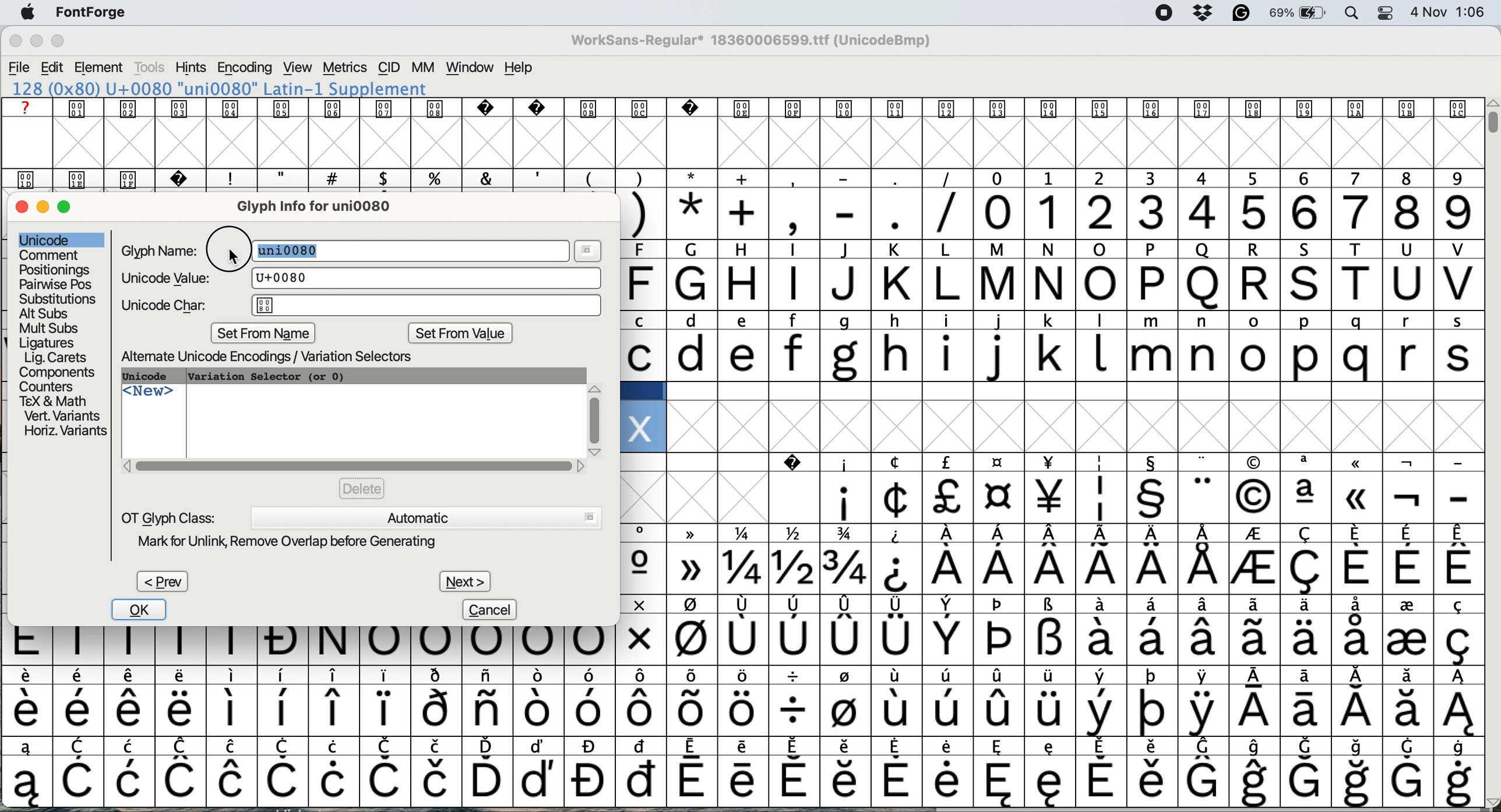  What do you see at coordinates (325, 206) in the screenshot?
I see `glyph info` at bounding box center [325, 206].